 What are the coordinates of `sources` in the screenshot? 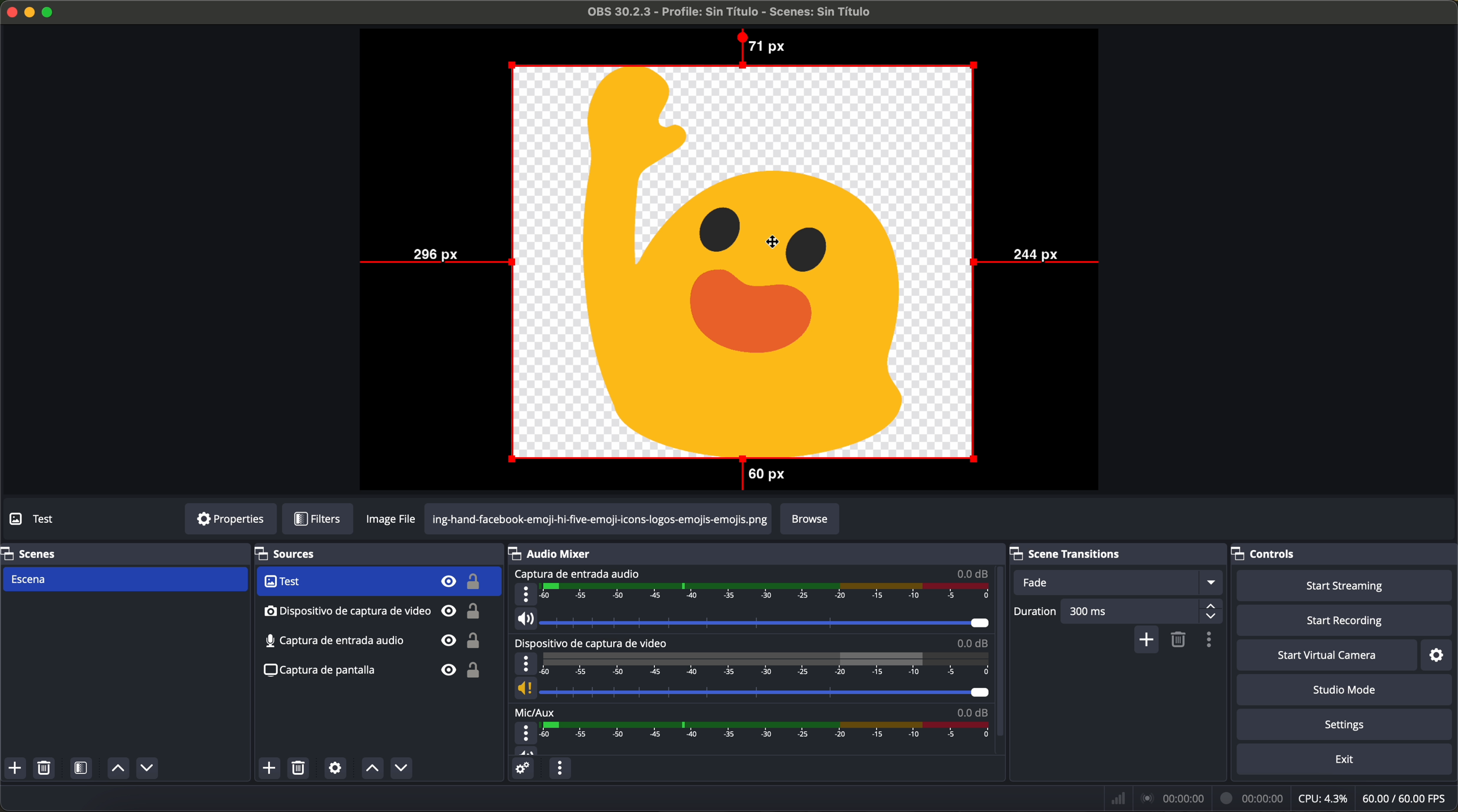 It's located at (300, 555).